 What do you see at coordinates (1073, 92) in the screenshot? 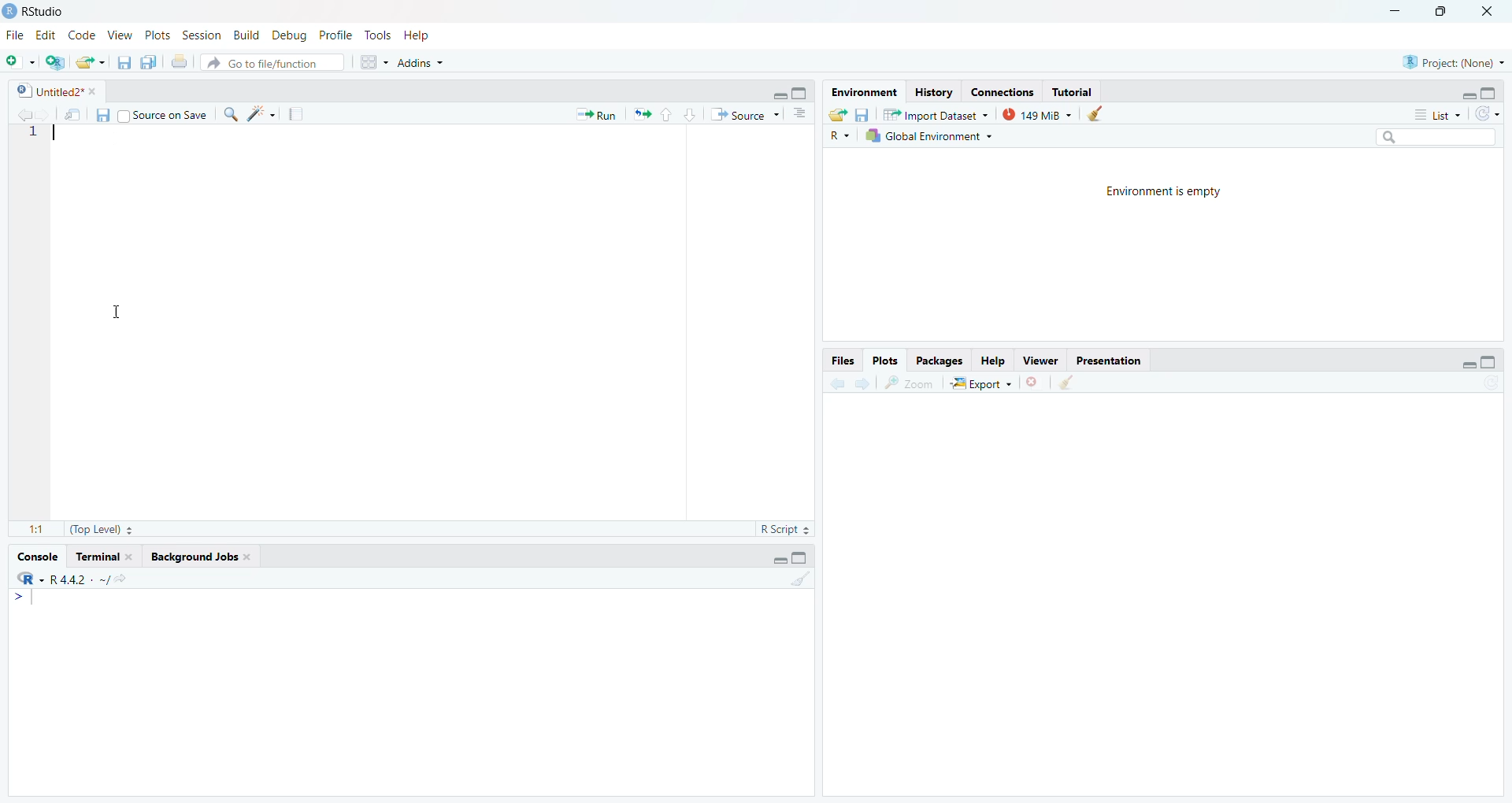
I see `Tutorial` at bounding box center [1073, 92].